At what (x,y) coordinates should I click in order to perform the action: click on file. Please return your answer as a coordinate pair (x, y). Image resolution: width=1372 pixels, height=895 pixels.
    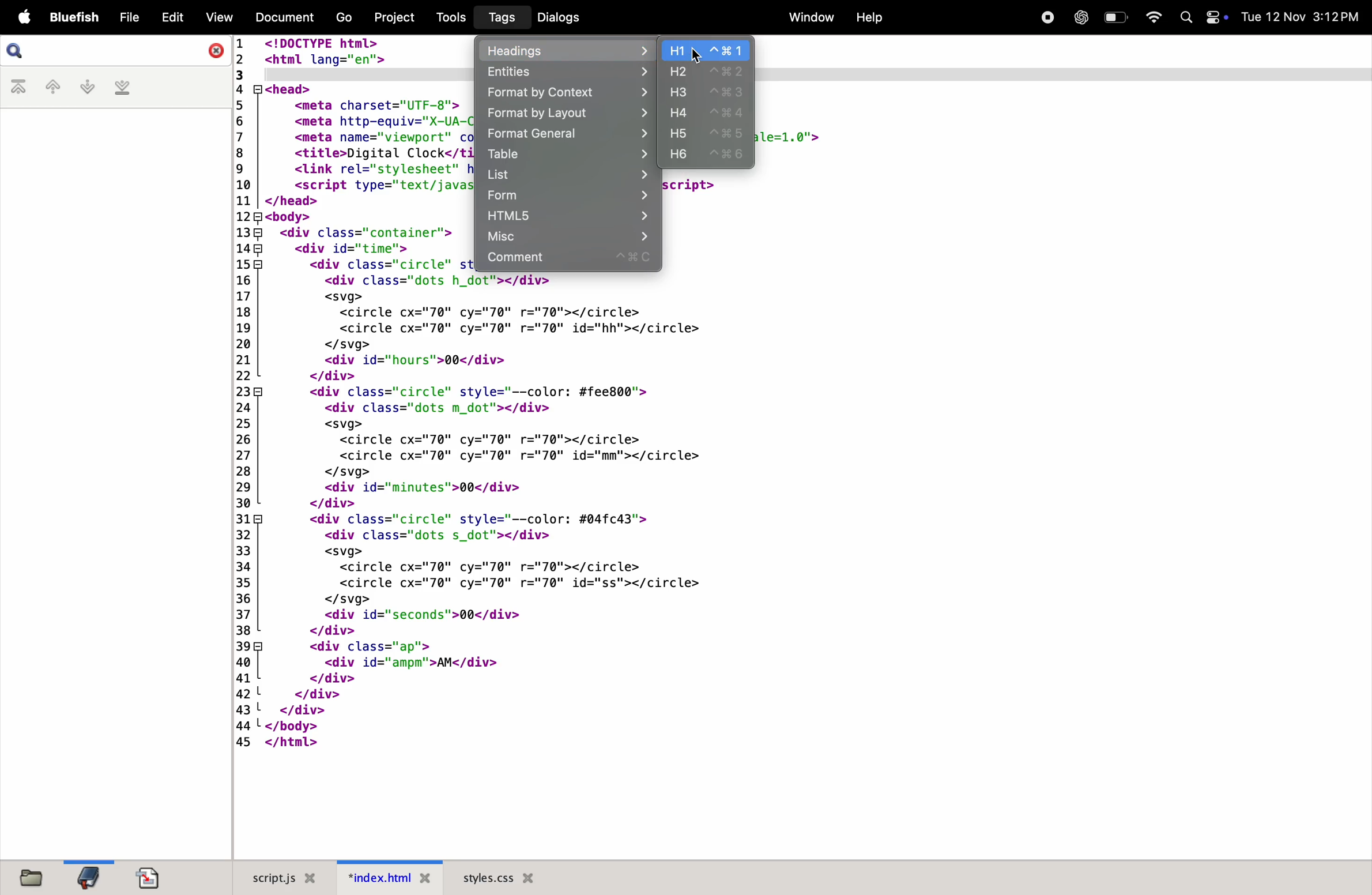
    Looking at the image, I should click on (129, 18).